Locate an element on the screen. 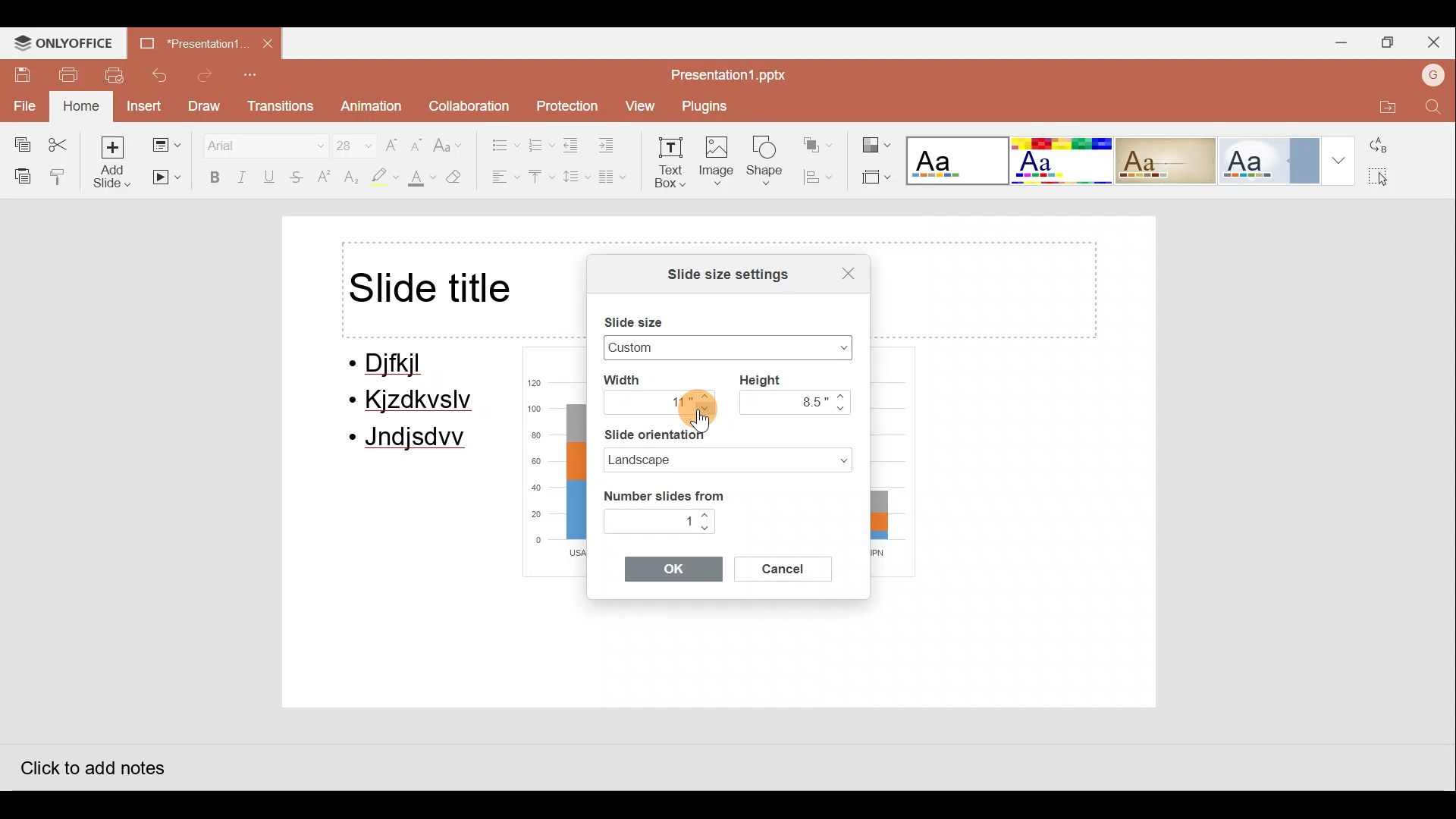 The image size is (1456, 819). Start slideshow is located at coordinates (167, 178).